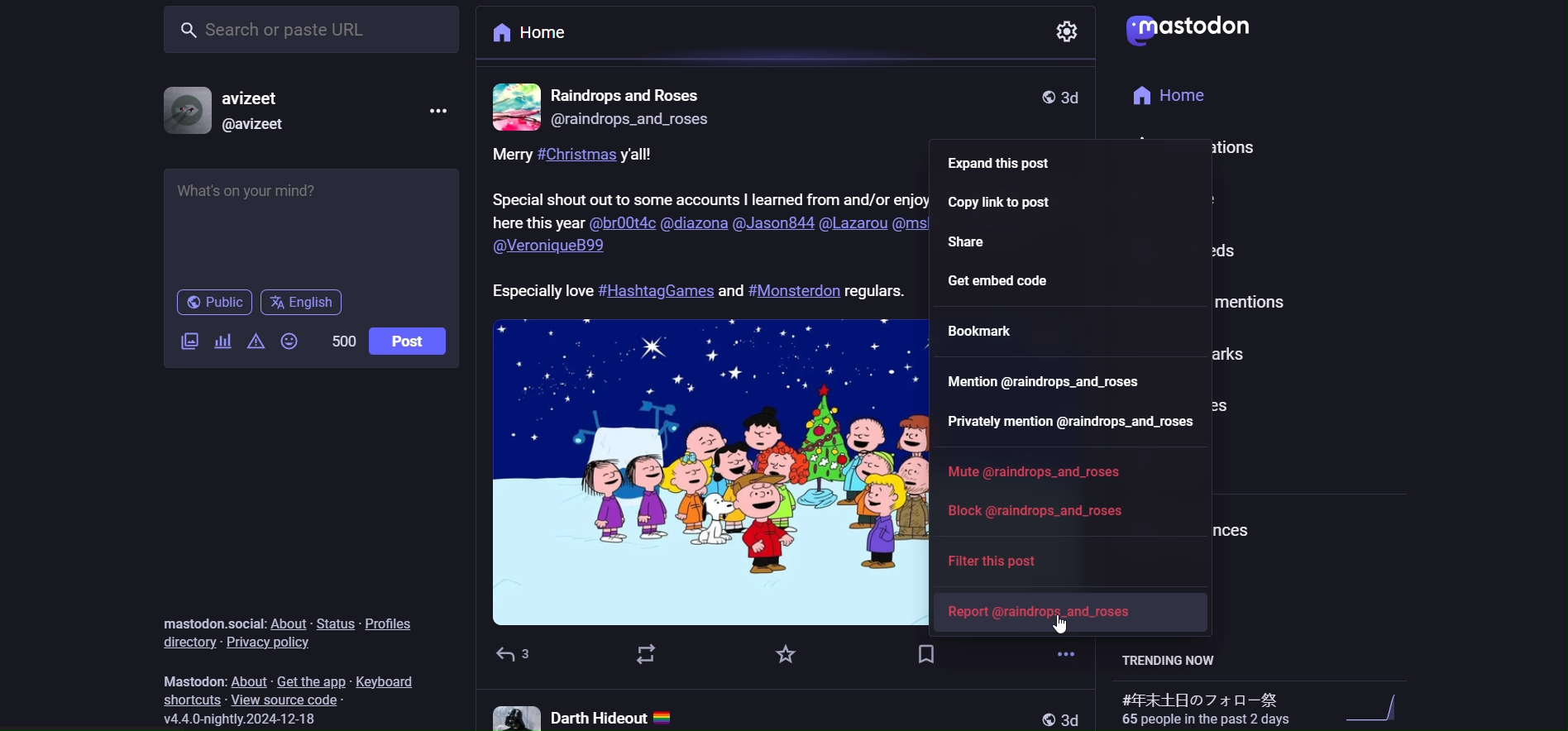  What do you see at coordinates (698, 471) in the screenshot?
I see `image` at bounding box center [698, 471].